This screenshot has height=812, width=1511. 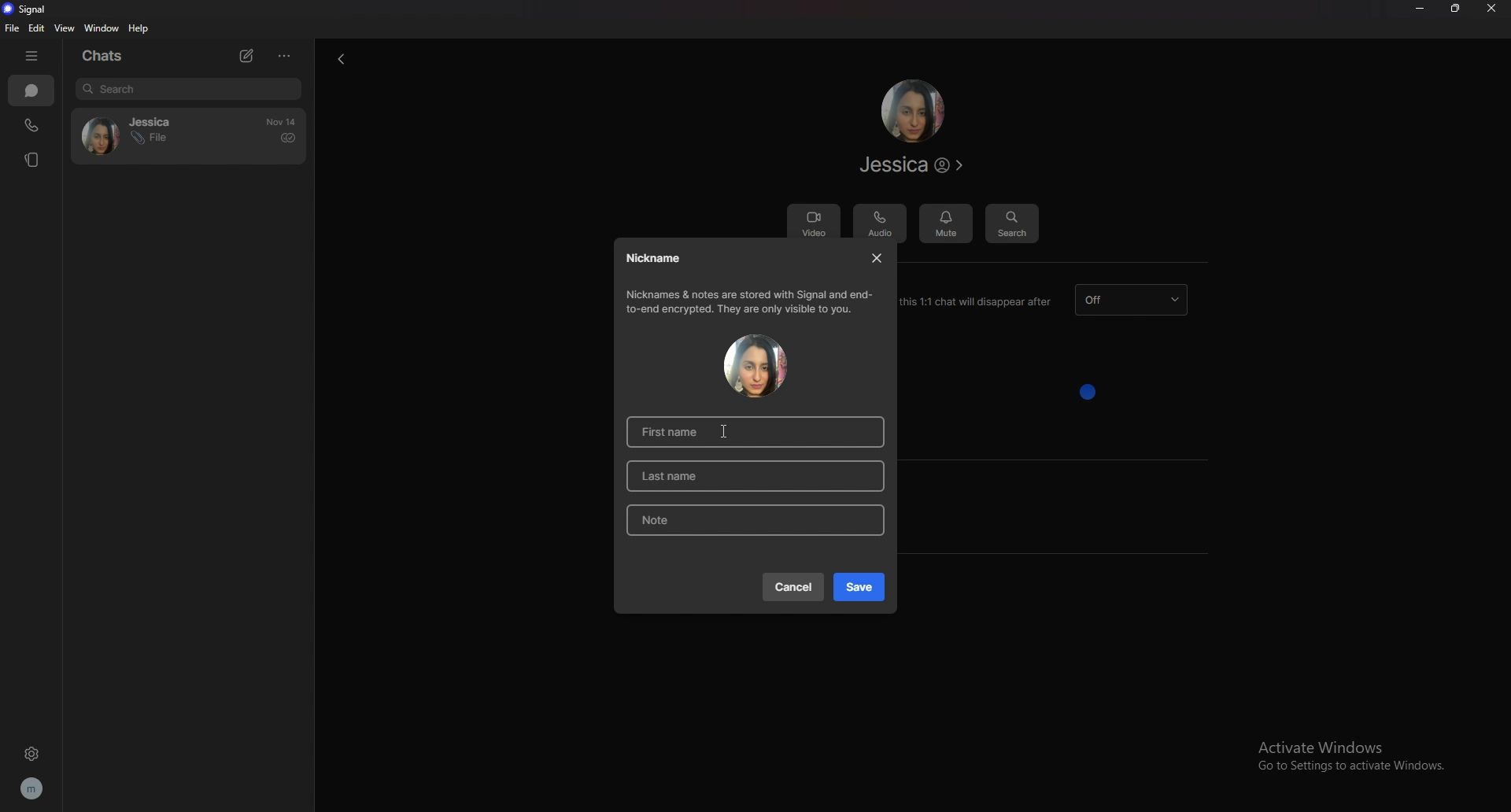 What do you see at coordinates (1494, 9) in the screenshot?
I see `close` at bounding box center [1494, 9].